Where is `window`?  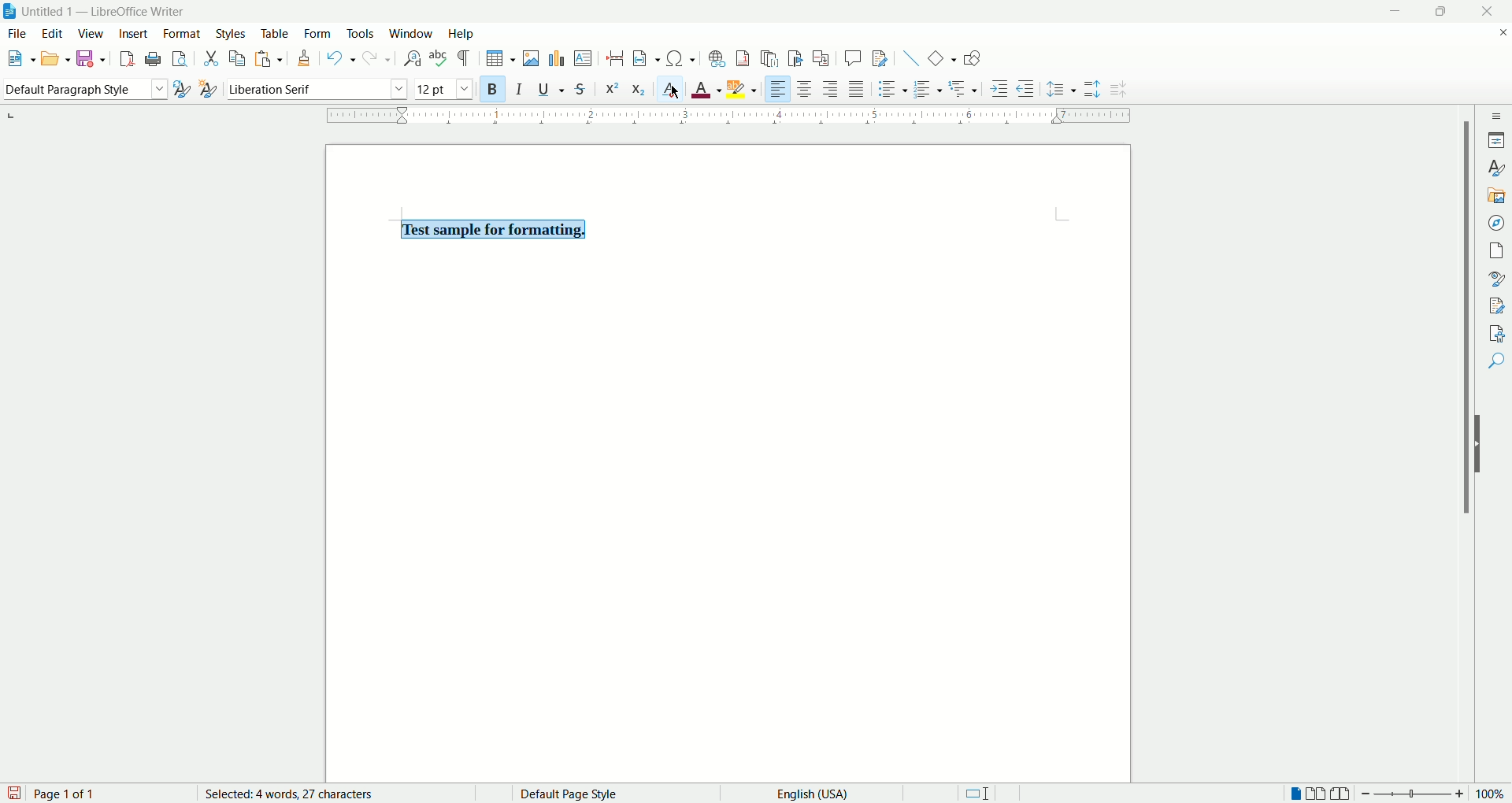
window is located at coordinates (413, 35).